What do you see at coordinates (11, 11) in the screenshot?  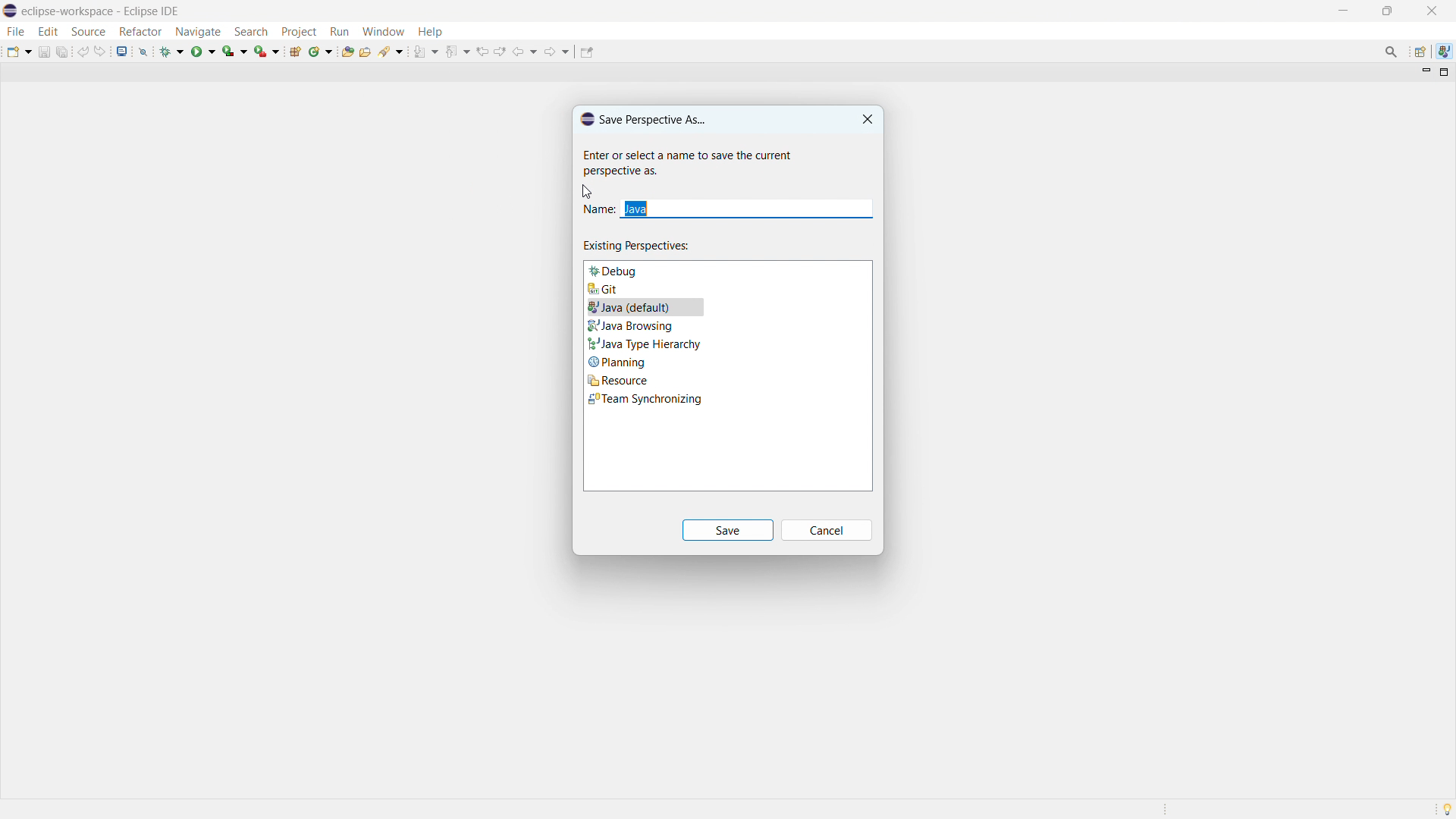 I see `logo` at bounding box center [11, 11].